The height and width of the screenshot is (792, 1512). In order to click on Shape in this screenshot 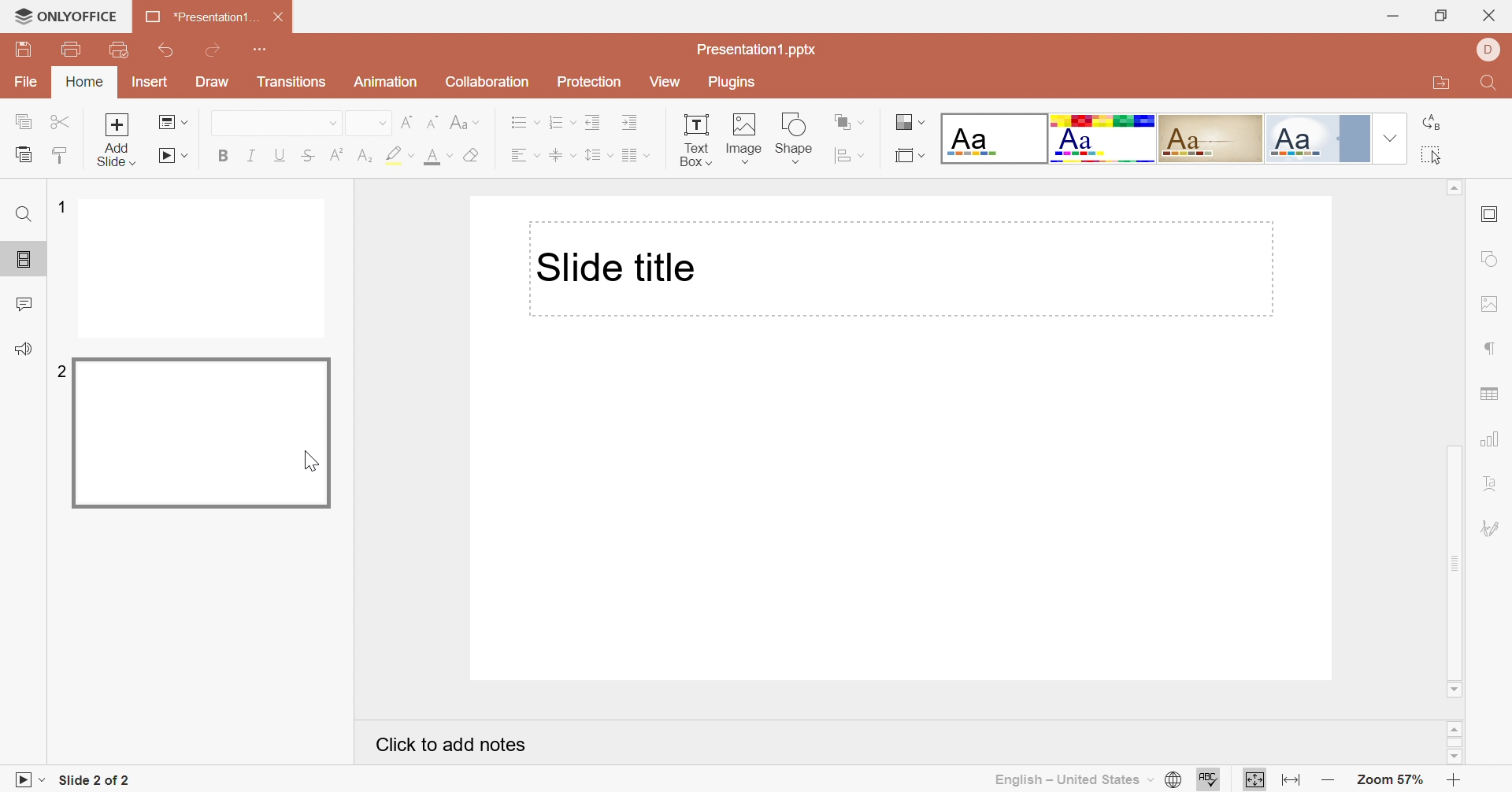, I will do `click(792, 137)`.